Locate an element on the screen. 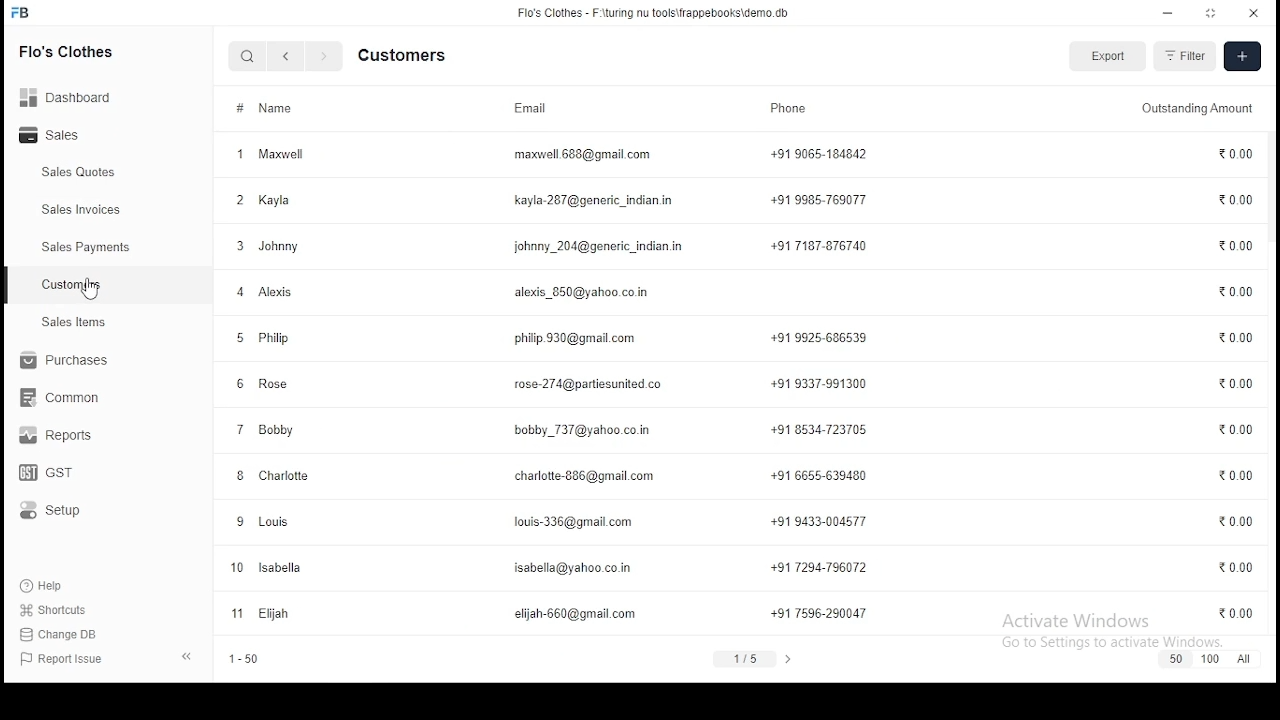 Image resolution: width=1280 pixels, height=720 pixels. reports is located at coordinates (54, 435).